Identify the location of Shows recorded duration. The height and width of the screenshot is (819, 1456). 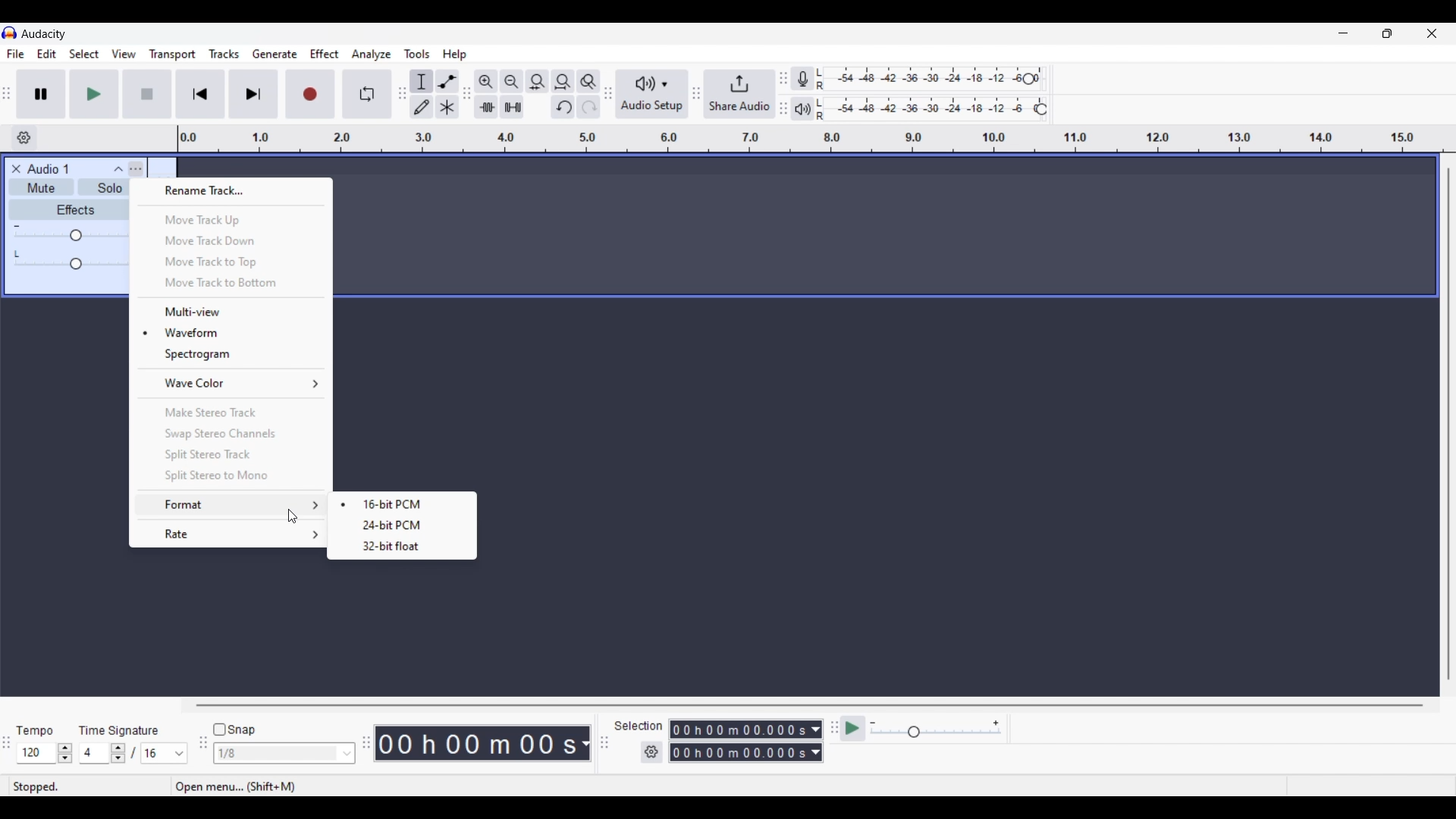
(476, 743).